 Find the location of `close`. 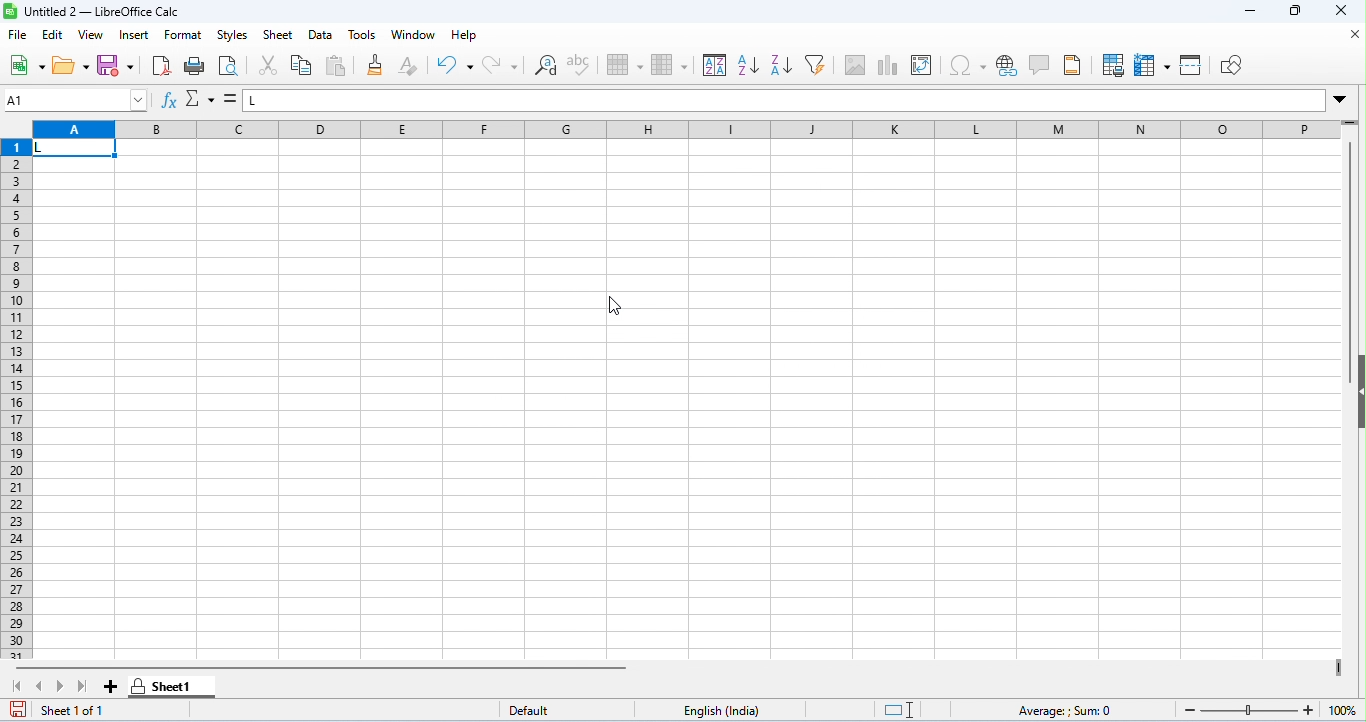

close is located at coordinates (1355, 35).